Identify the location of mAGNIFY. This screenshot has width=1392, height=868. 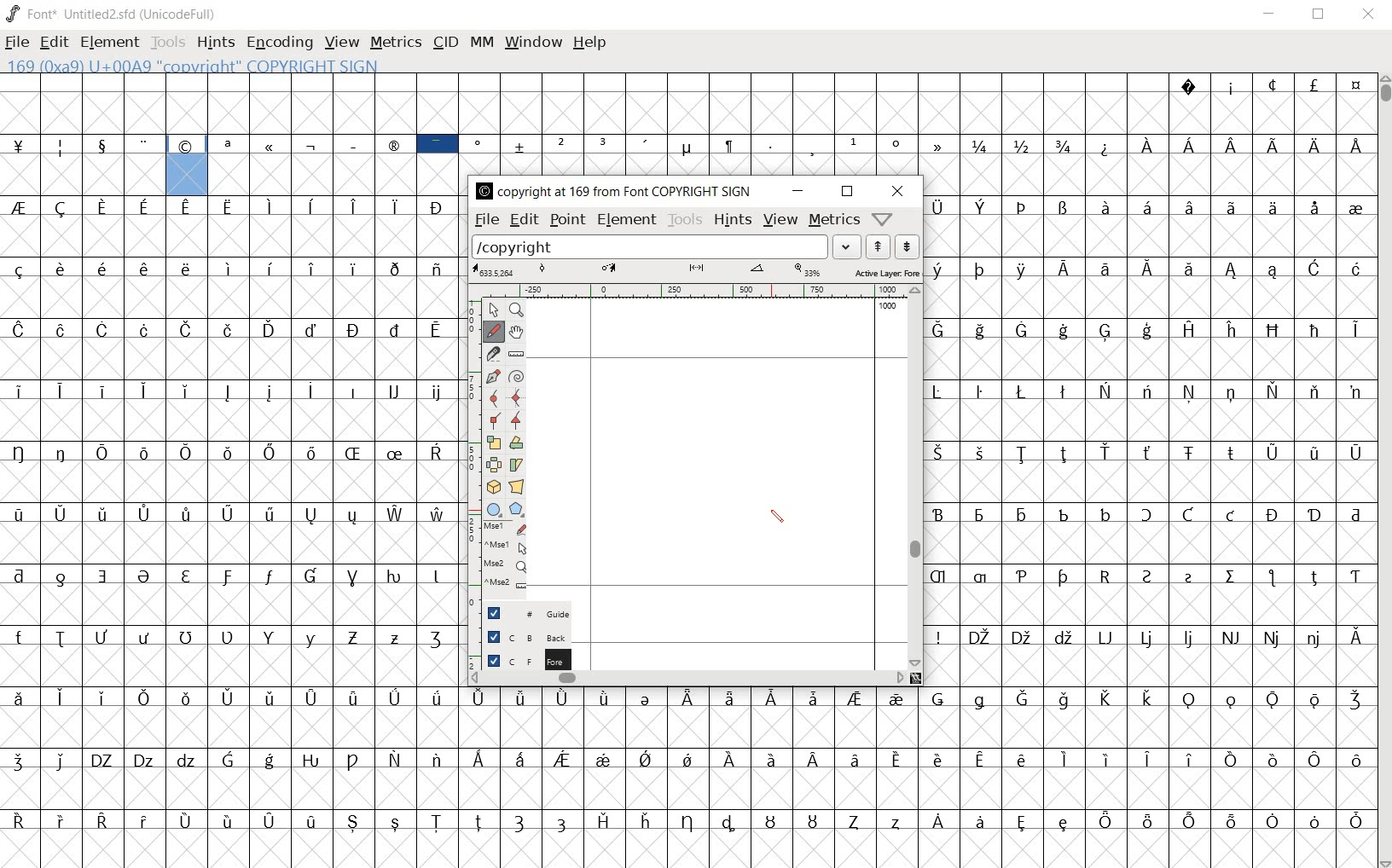
(516, 310).